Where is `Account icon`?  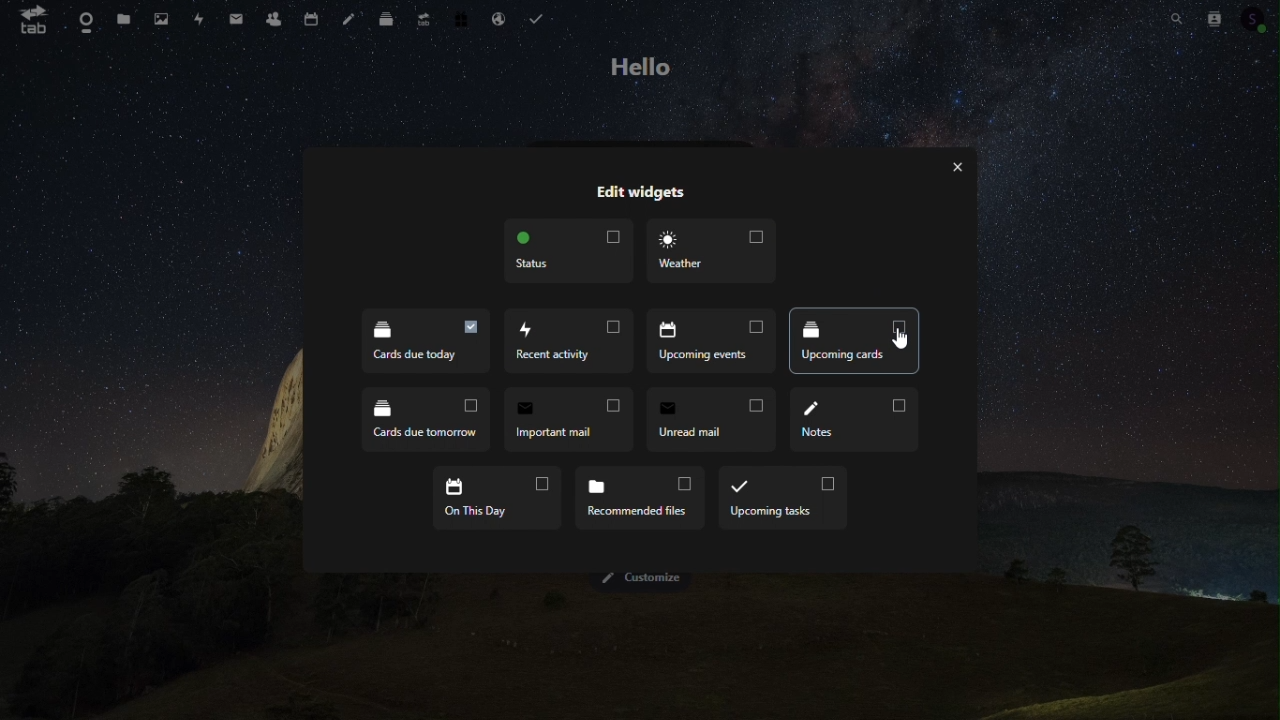
Account icon is located at coordinates (1260, 20).